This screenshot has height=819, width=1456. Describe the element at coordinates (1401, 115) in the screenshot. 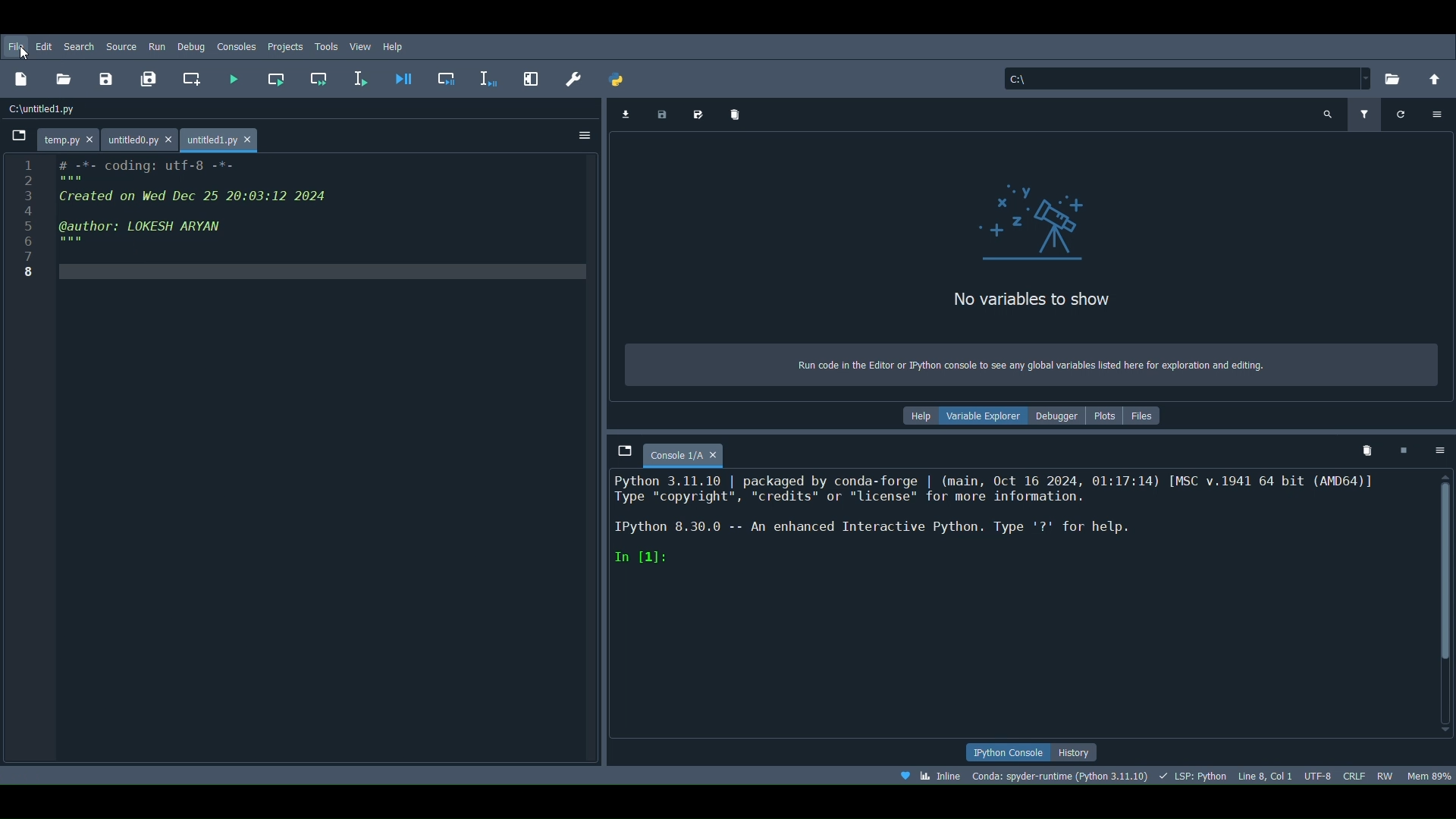

I see `Refresh variables (Ctrl + R)` at that location.